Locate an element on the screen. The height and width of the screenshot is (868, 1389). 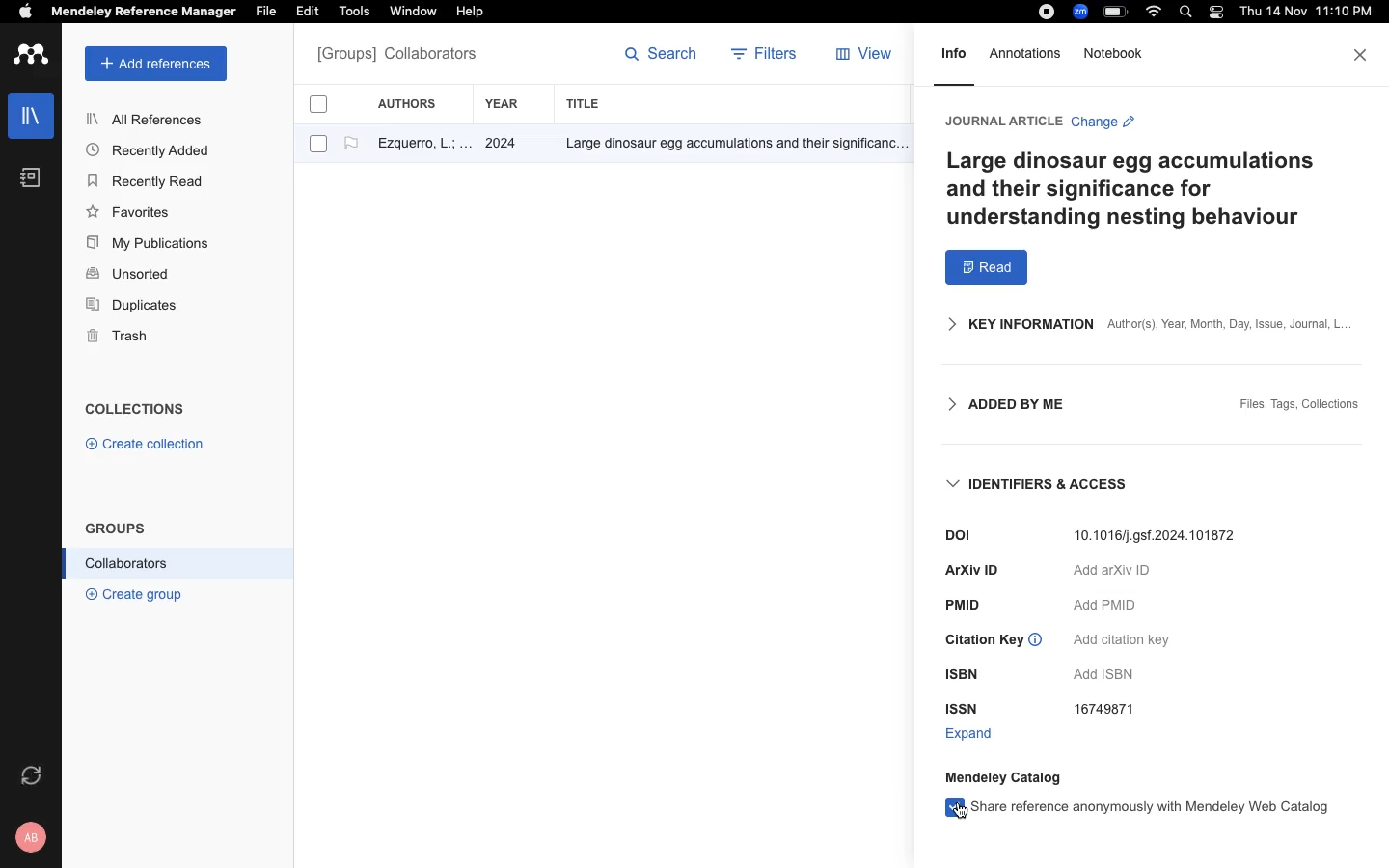
info is located at coordinates (954, 60).